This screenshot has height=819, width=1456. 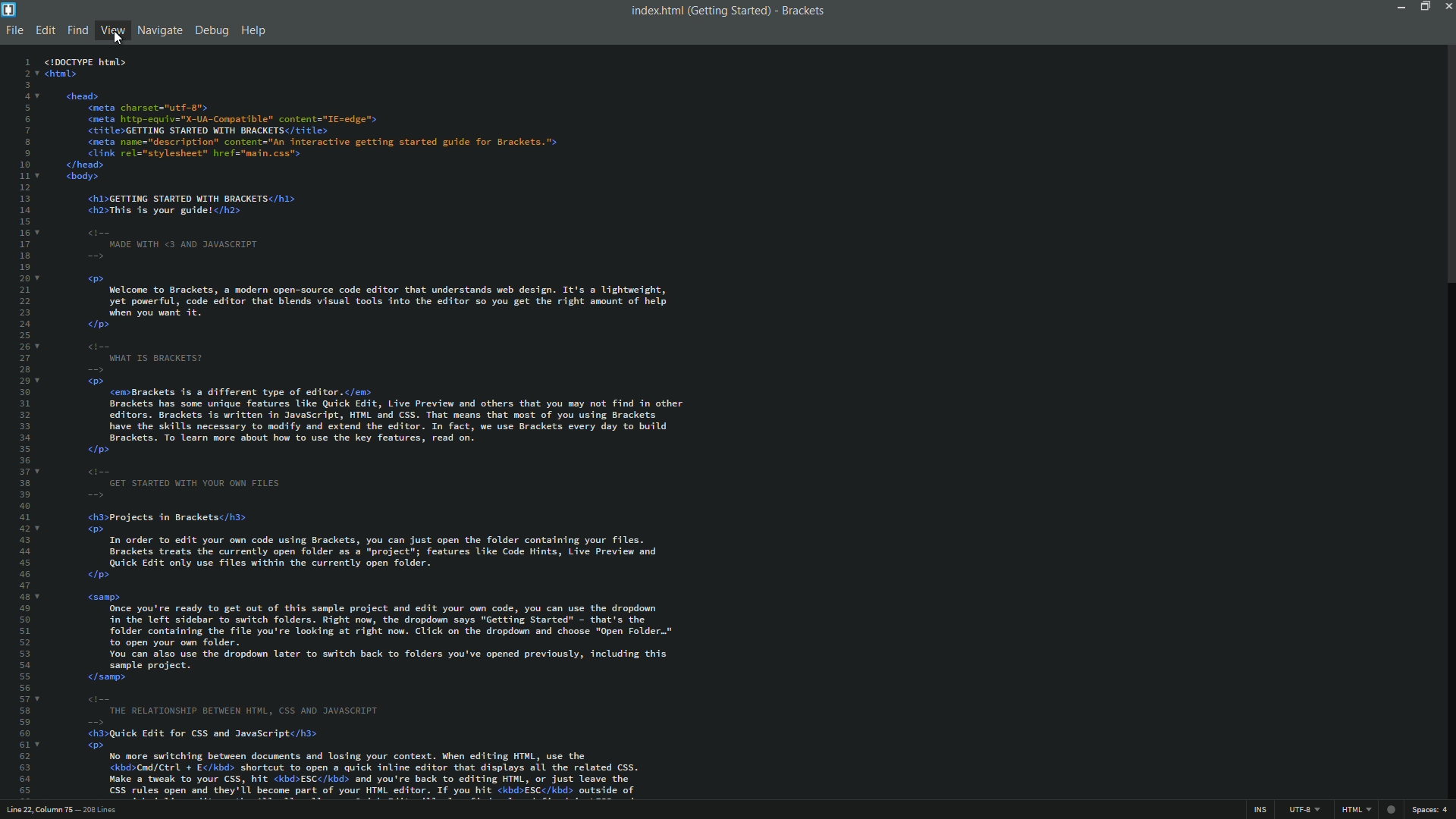 I want to click on <!DOCTYPE html>
<html>
<head>
<meta charsets"utf-g">
<meta http-equiv="X-UA-Conpatible" content="IE=edge">
<title>GETTING STARTED WITH BRACKETS</title>
<meta name="description" content="An interactive getting started guide for Brackets.">
<link rel="stylesheet" href="main.css">
</head>
<body>
<h1>GETTING STARTED WITH BRACKETS</h1>
<h2>This is your guidet</h2>
MADE WITH <3 AND JAVASCRIPT, so click(x=303, y=161).